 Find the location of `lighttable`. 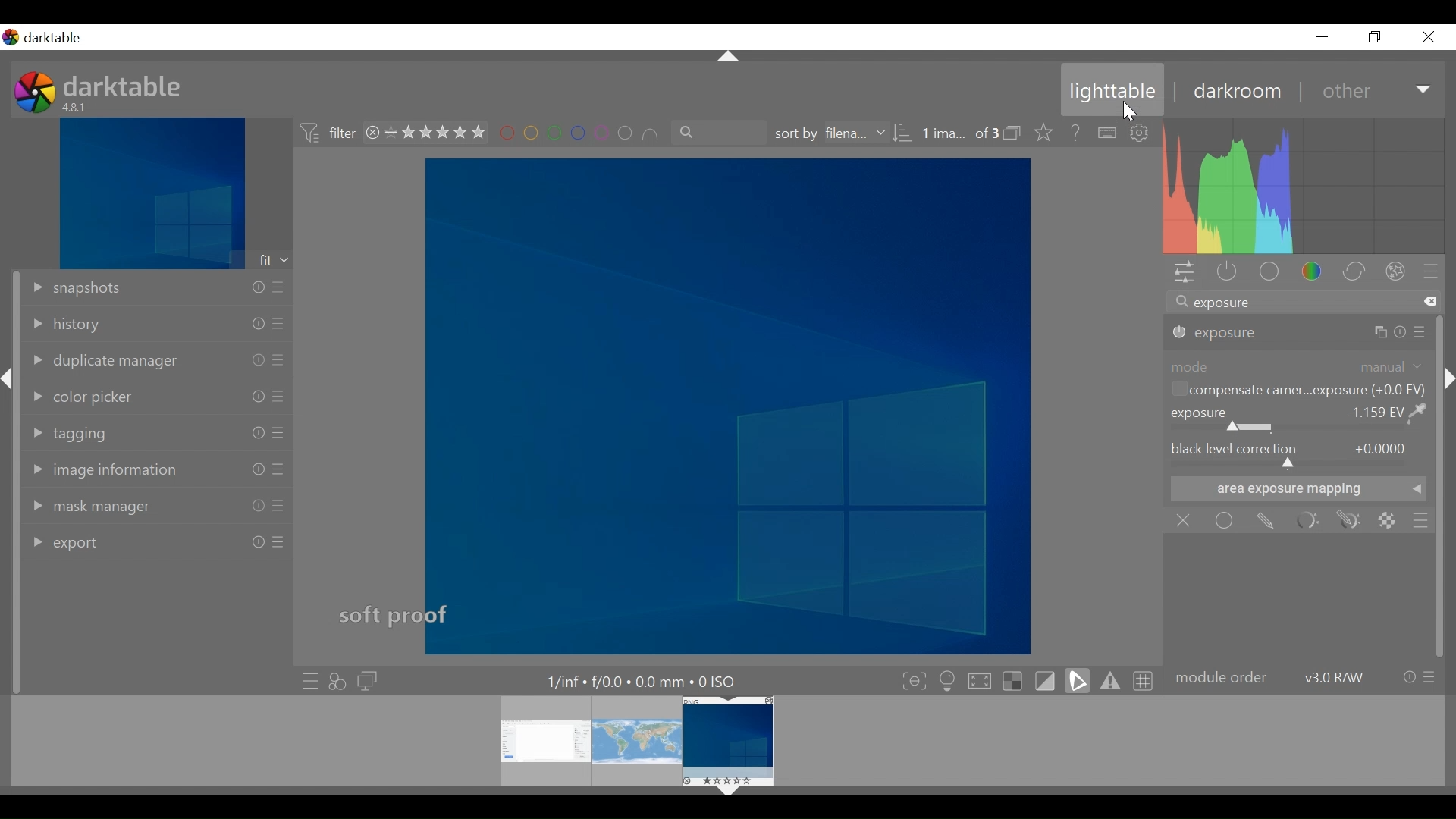

lighttable is located at coordinates (1111, 93).